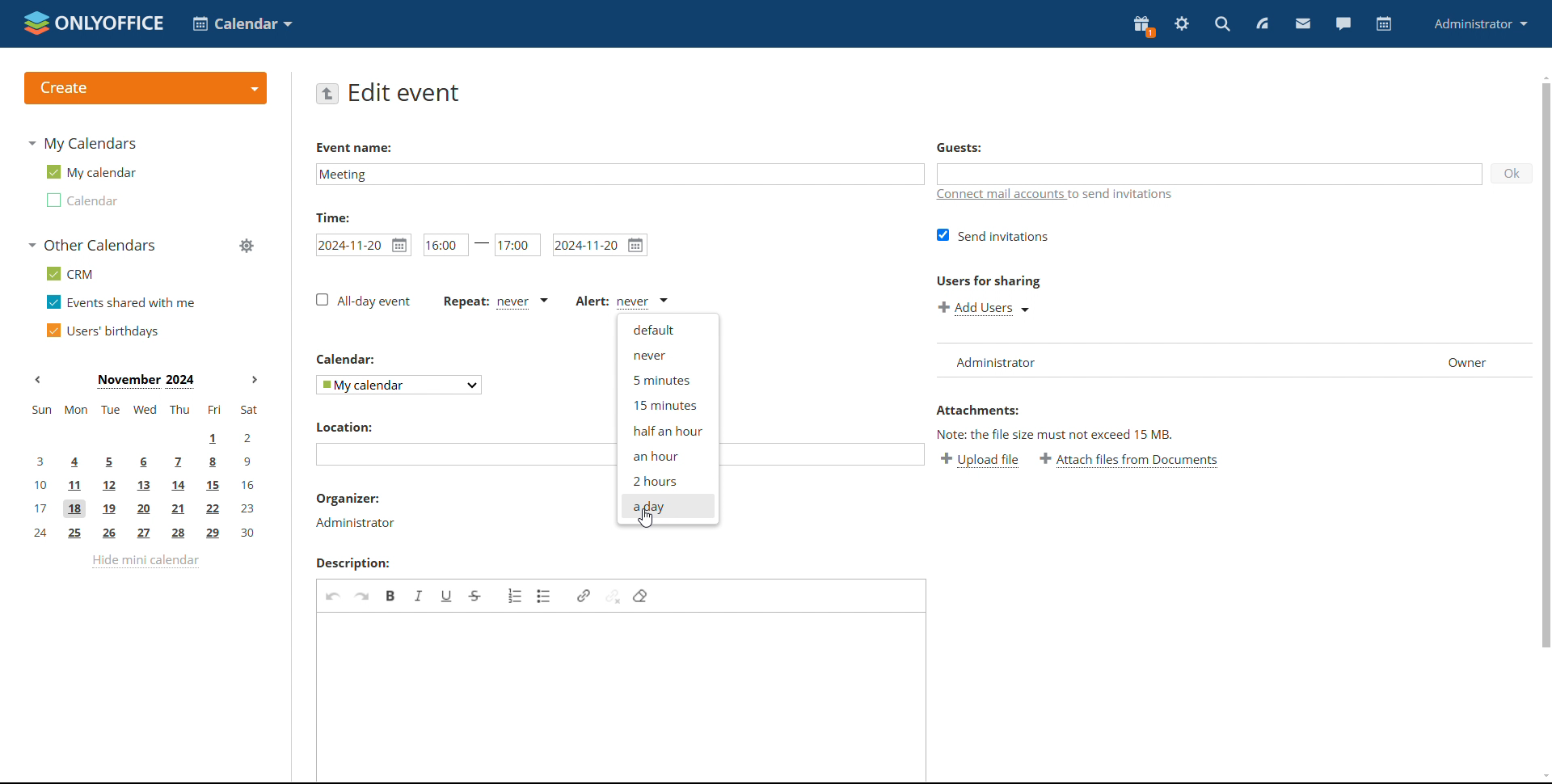  I want to click on an hour, so click(667, 456).